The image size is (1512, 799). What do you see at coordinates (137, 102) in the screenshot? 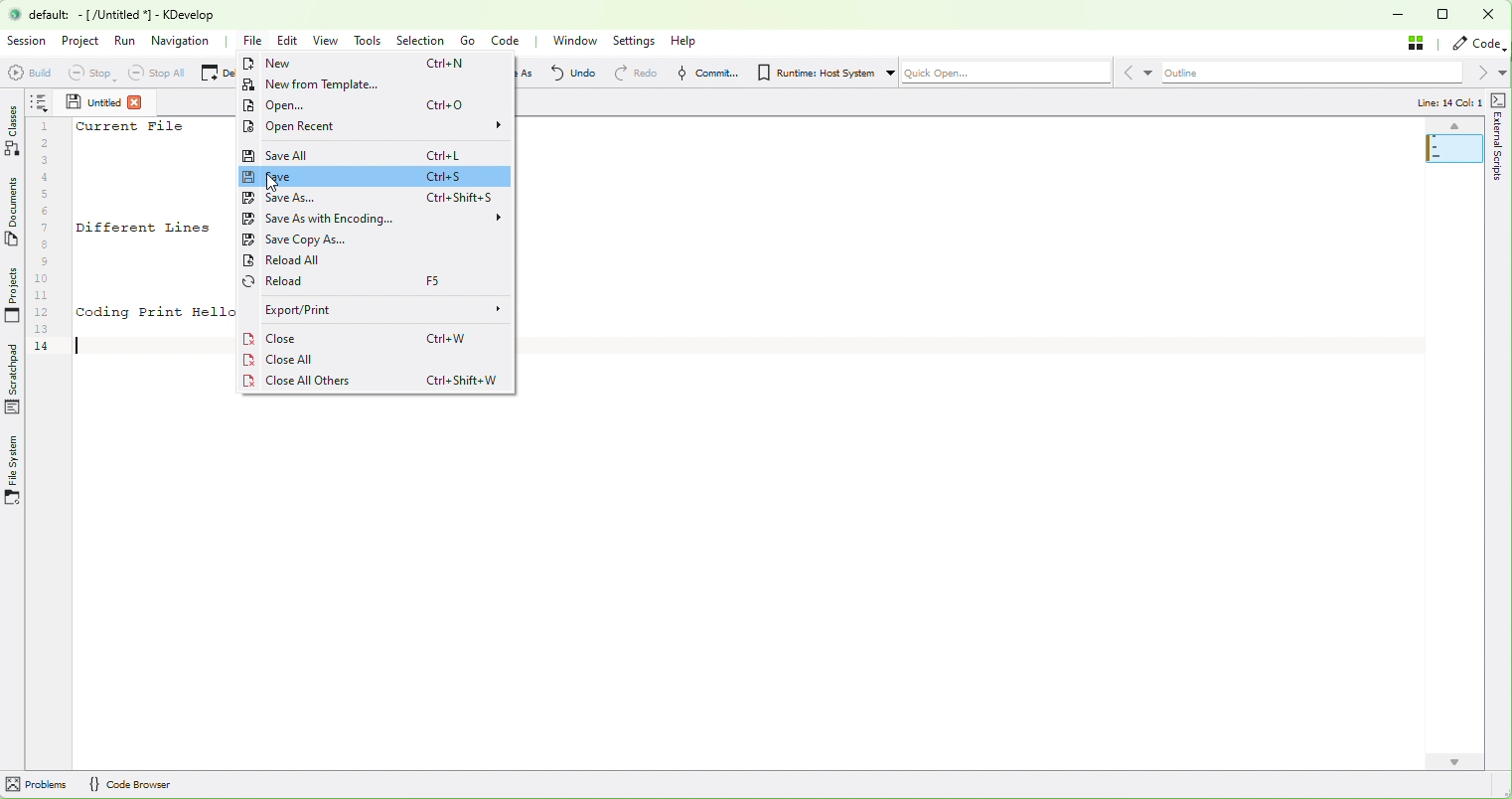
I see `close tab` at bounding box center [137, 102].